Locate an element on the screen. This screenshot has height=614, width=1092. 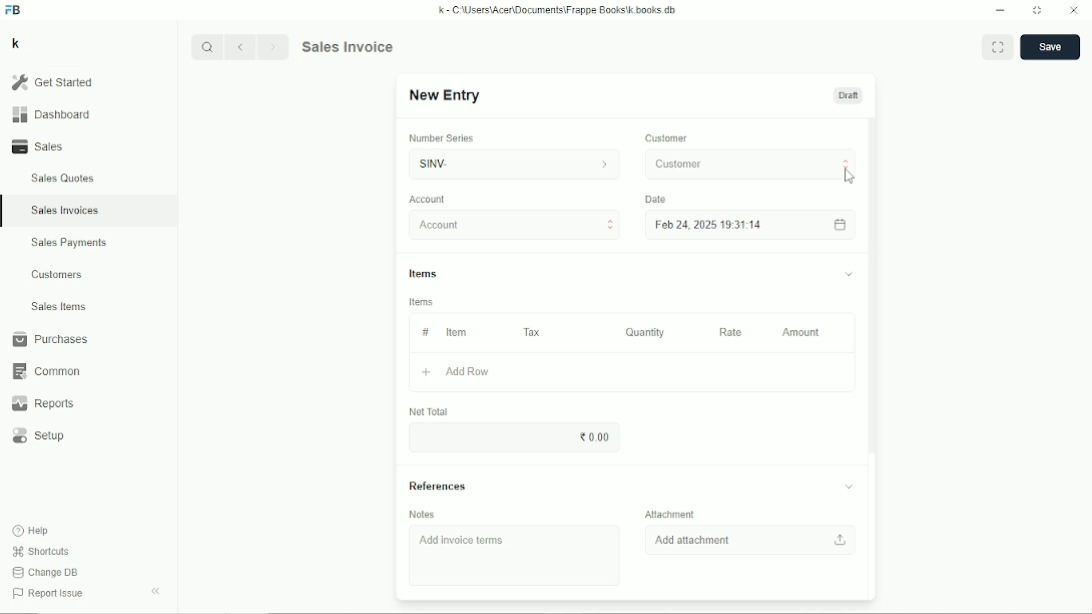
Get started is located at coordinates (51, 82).